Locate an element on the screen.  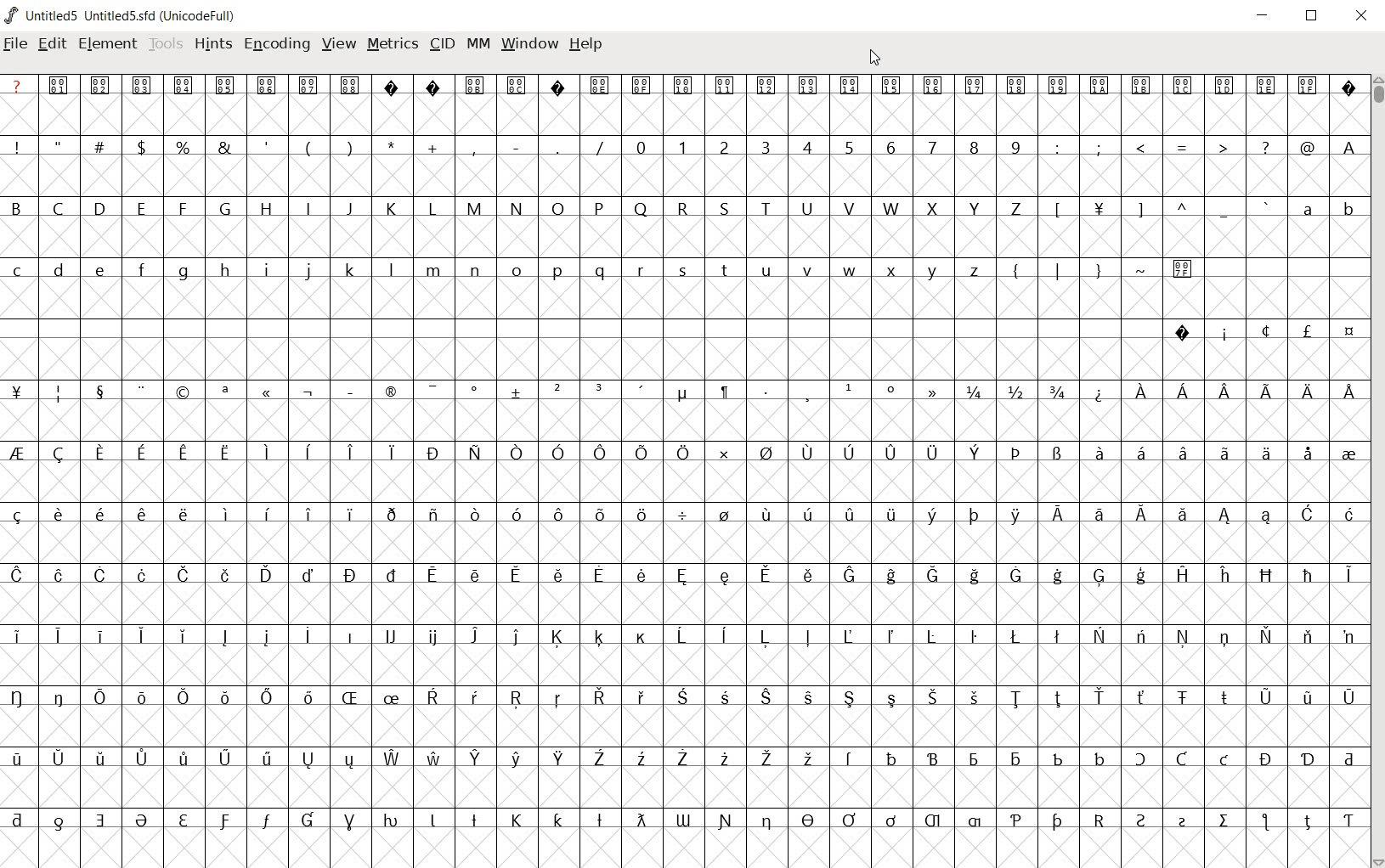
Symbol is located at coordinates (641, 455).